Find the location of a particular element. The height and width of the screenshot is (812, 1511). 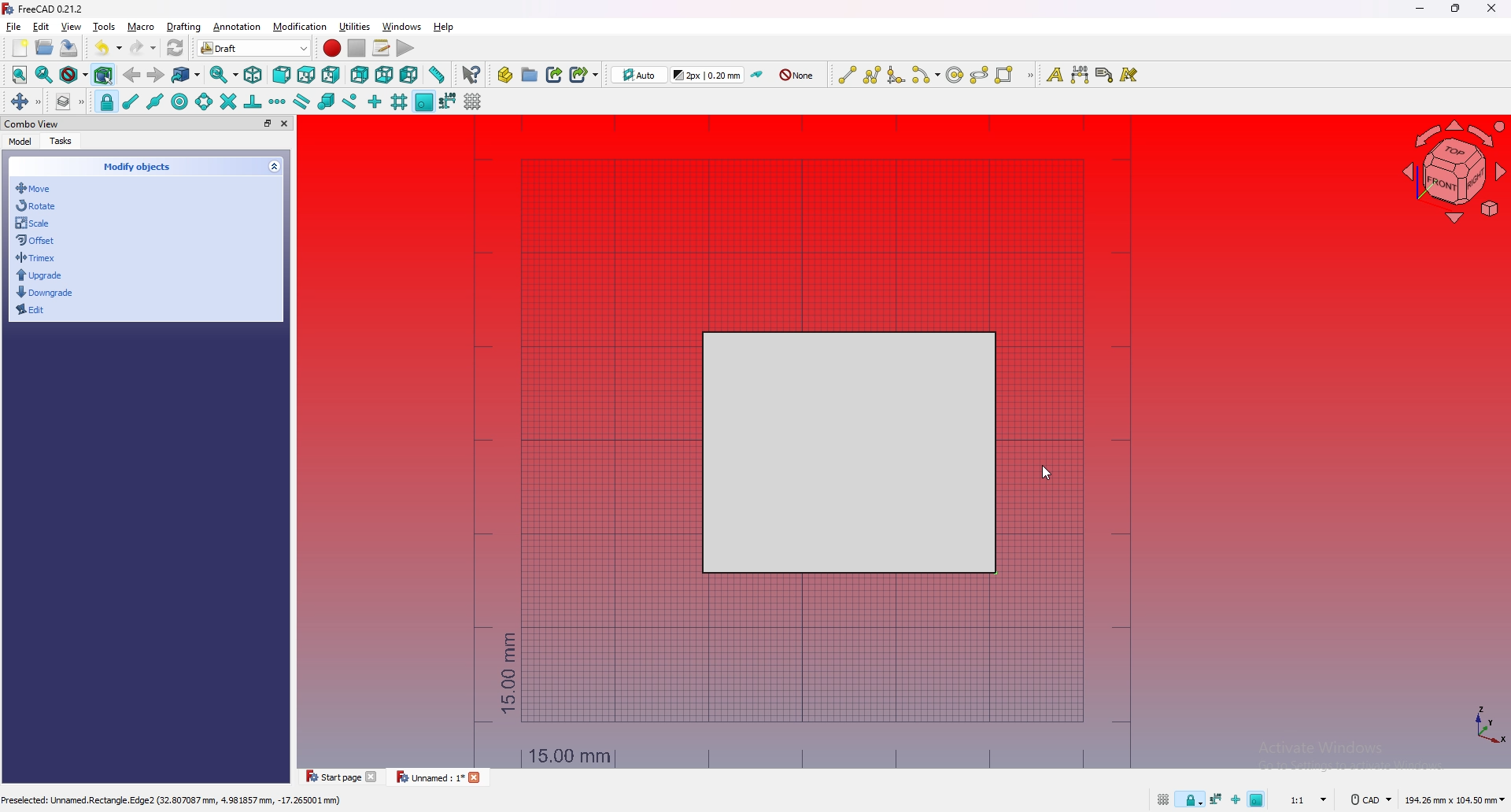

refresh is located at coordinates (175, 47).